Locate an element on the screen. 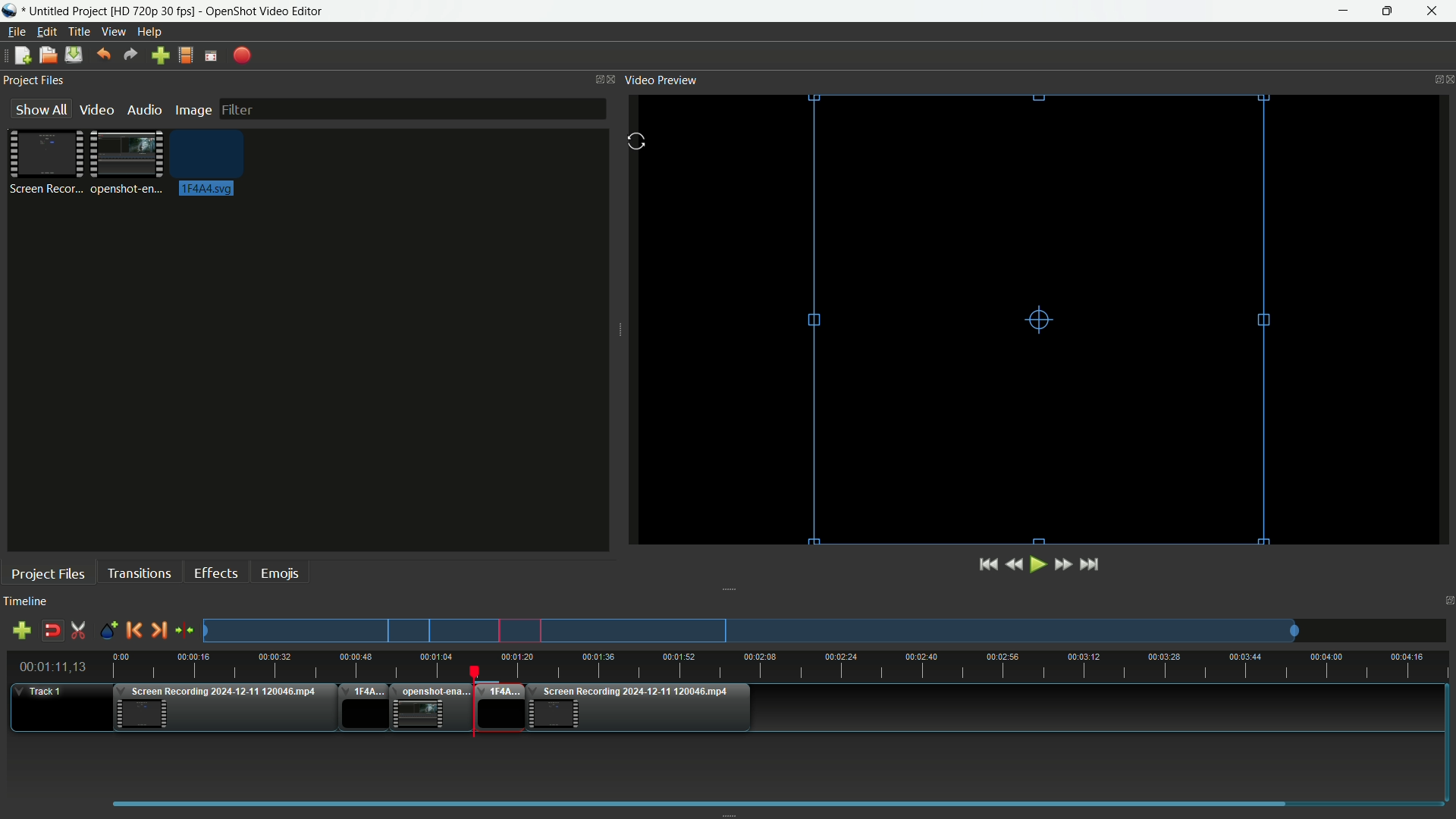  Track one timeline is located at coordinates (42, 692).